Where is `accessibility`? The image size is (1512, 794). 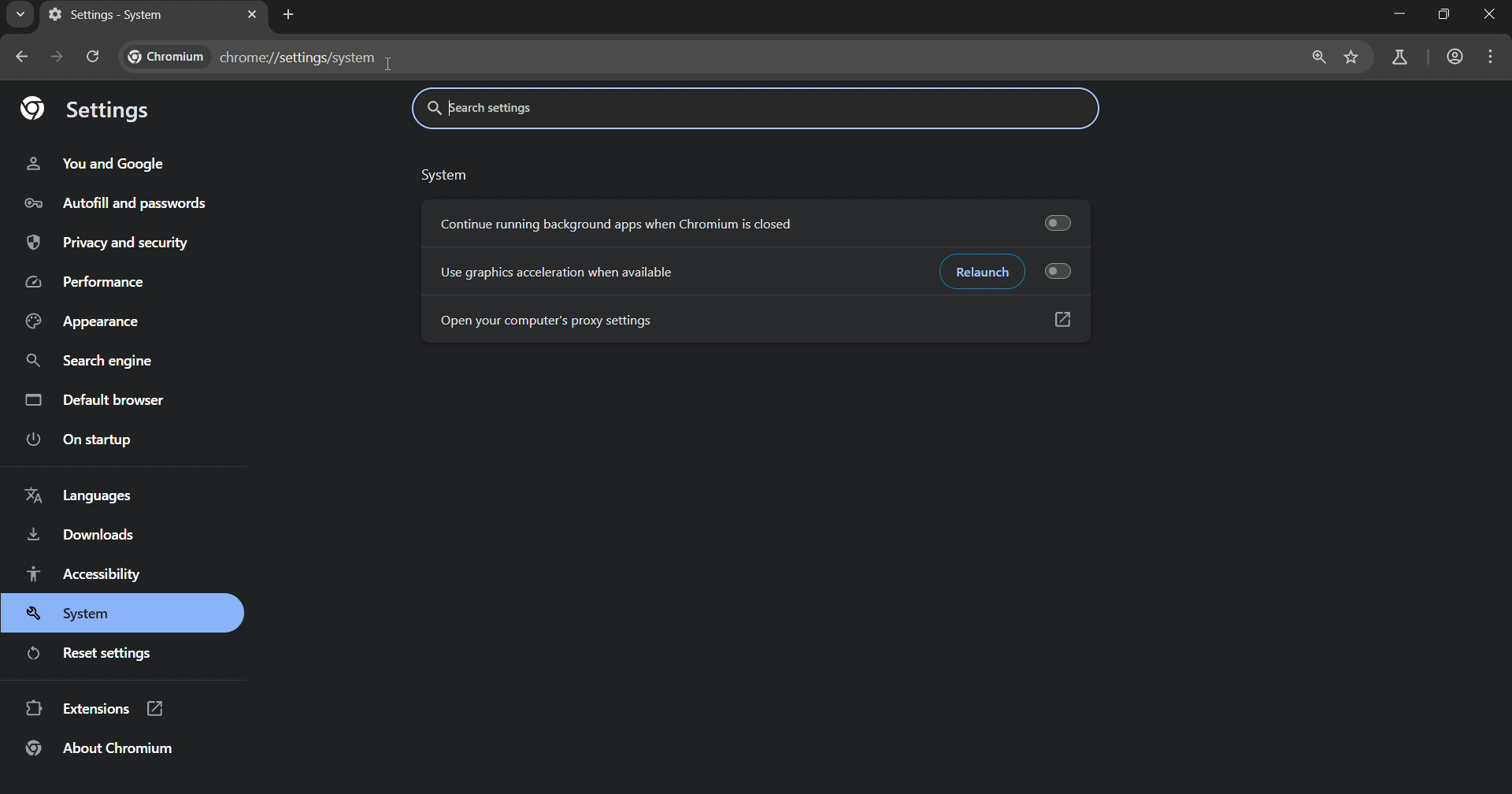 accessibility is located at coordinates (86, 575).